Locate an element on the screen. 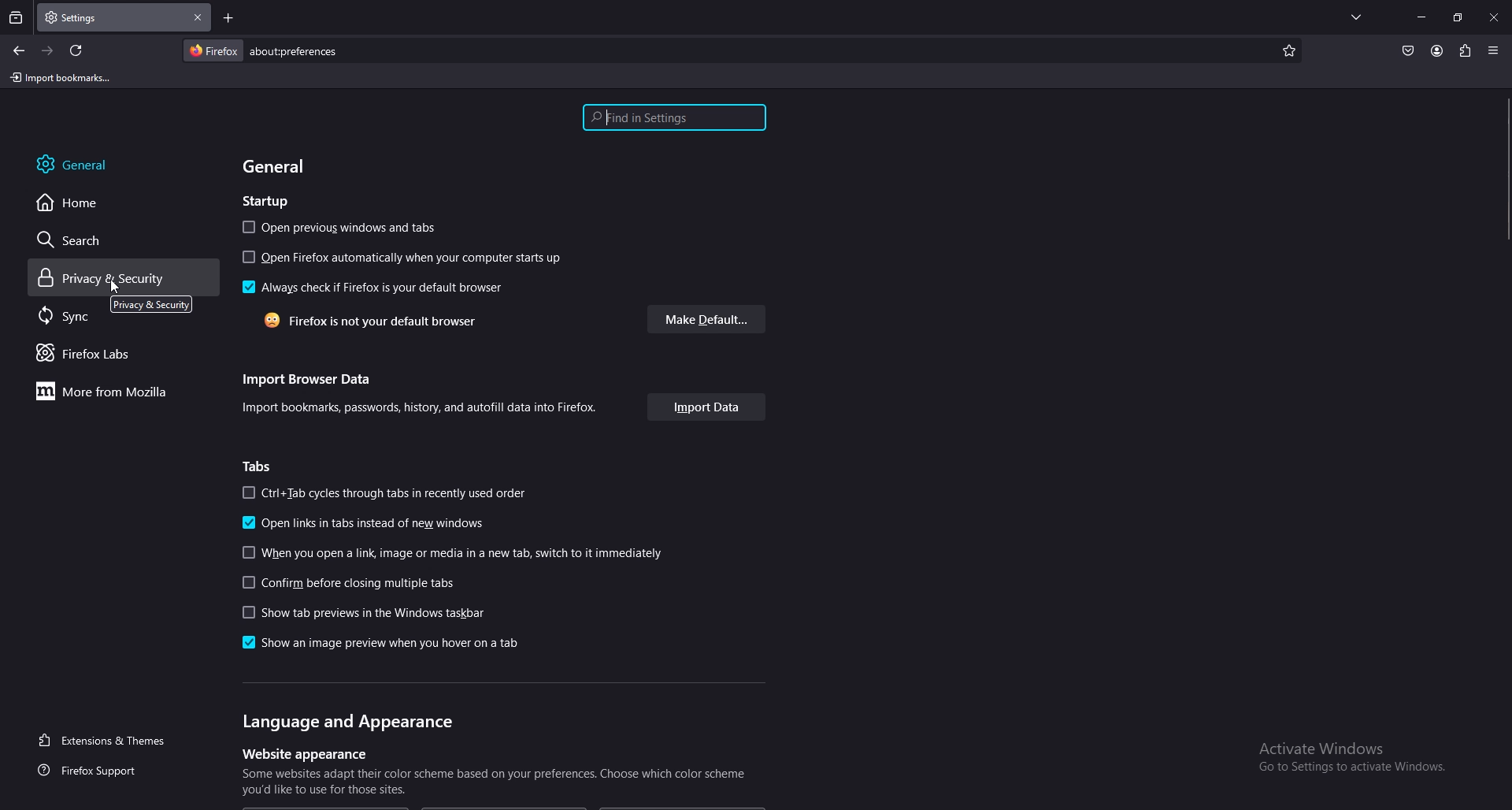 Image resolution: width=1512 pixels, height=810 pixels. link open guideline is located at coordinates (461, 551).